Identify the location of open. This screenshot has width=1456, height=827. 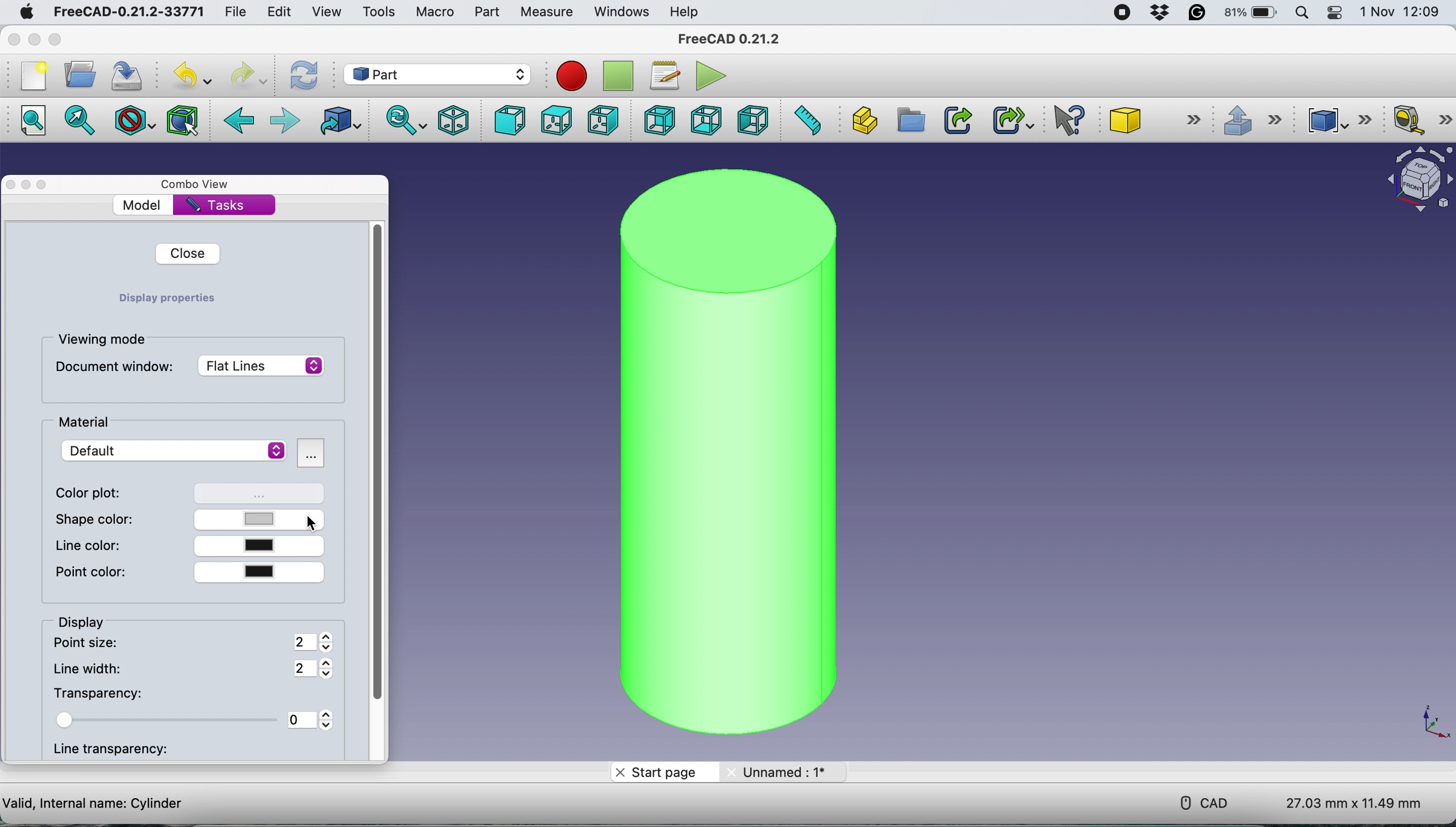
(80, 77).